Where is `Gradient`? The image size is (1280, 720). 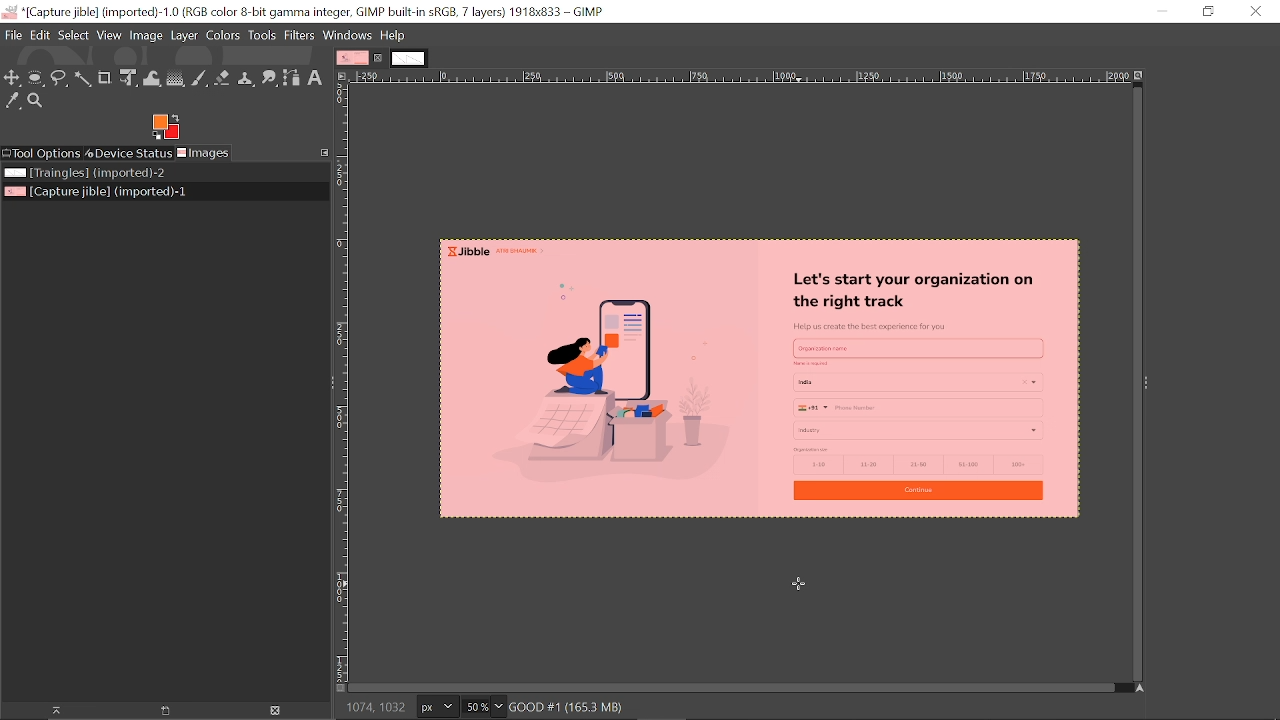
Gradient is located at coordinates (175, 78).